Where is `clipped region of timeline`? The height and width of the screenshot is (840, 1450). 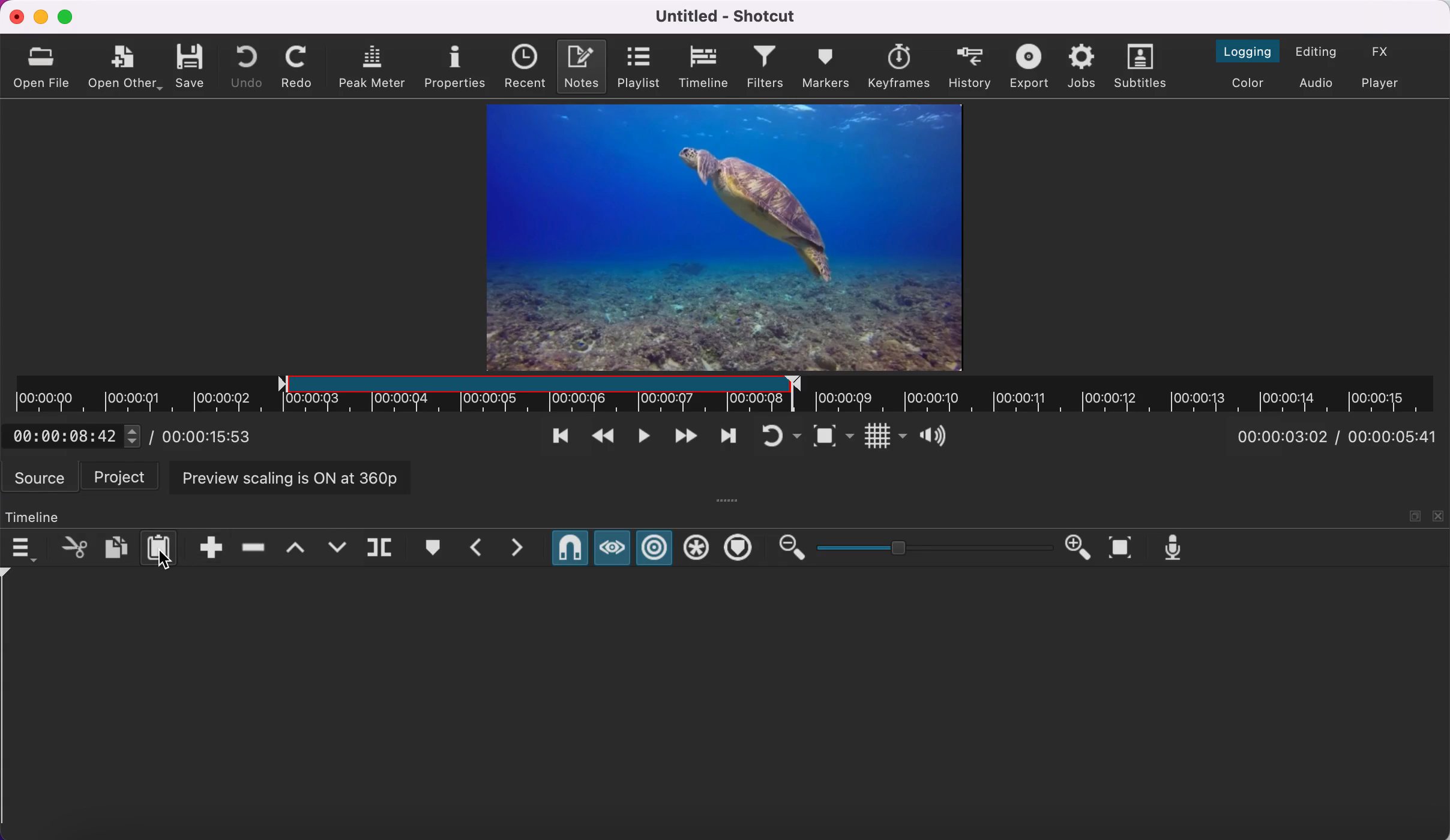 clipped region of timeline is located at coordinates (534, 394).